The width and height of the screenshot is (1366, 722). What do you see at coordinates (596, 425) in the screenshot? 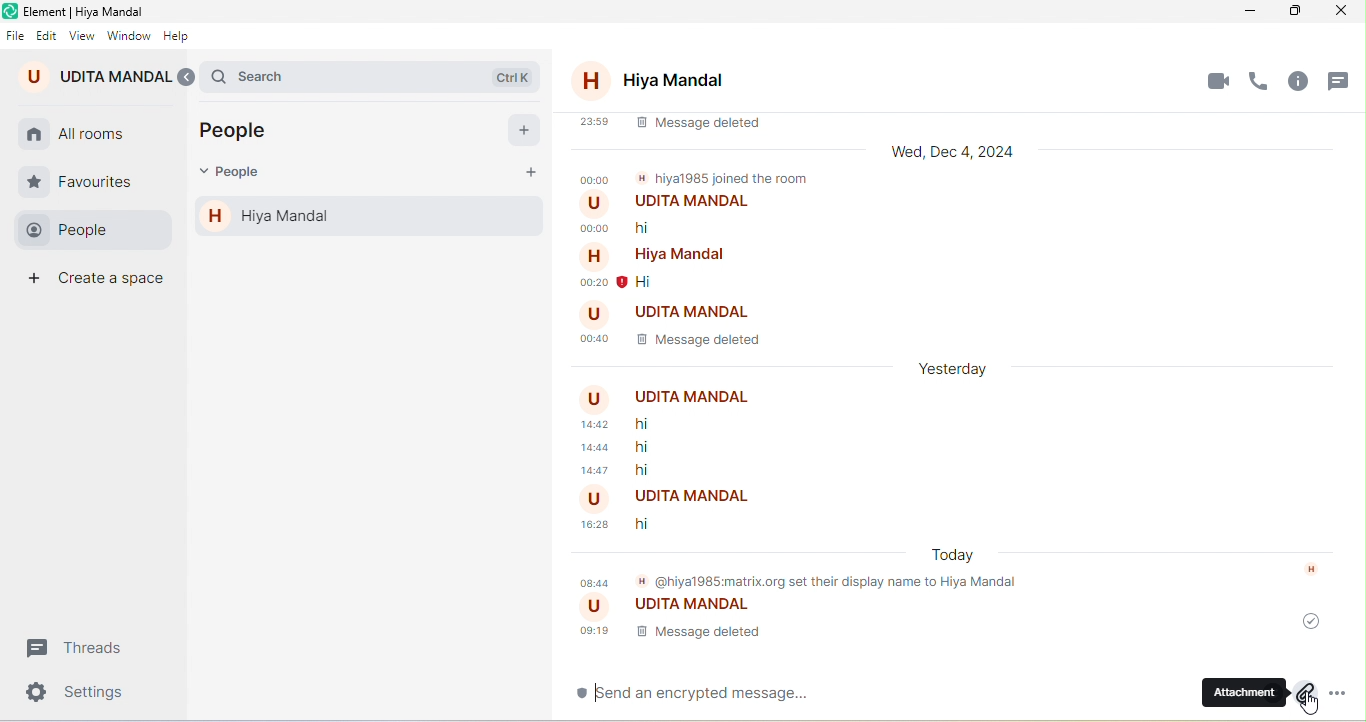
I see `time` at bounding box center [596, 425].